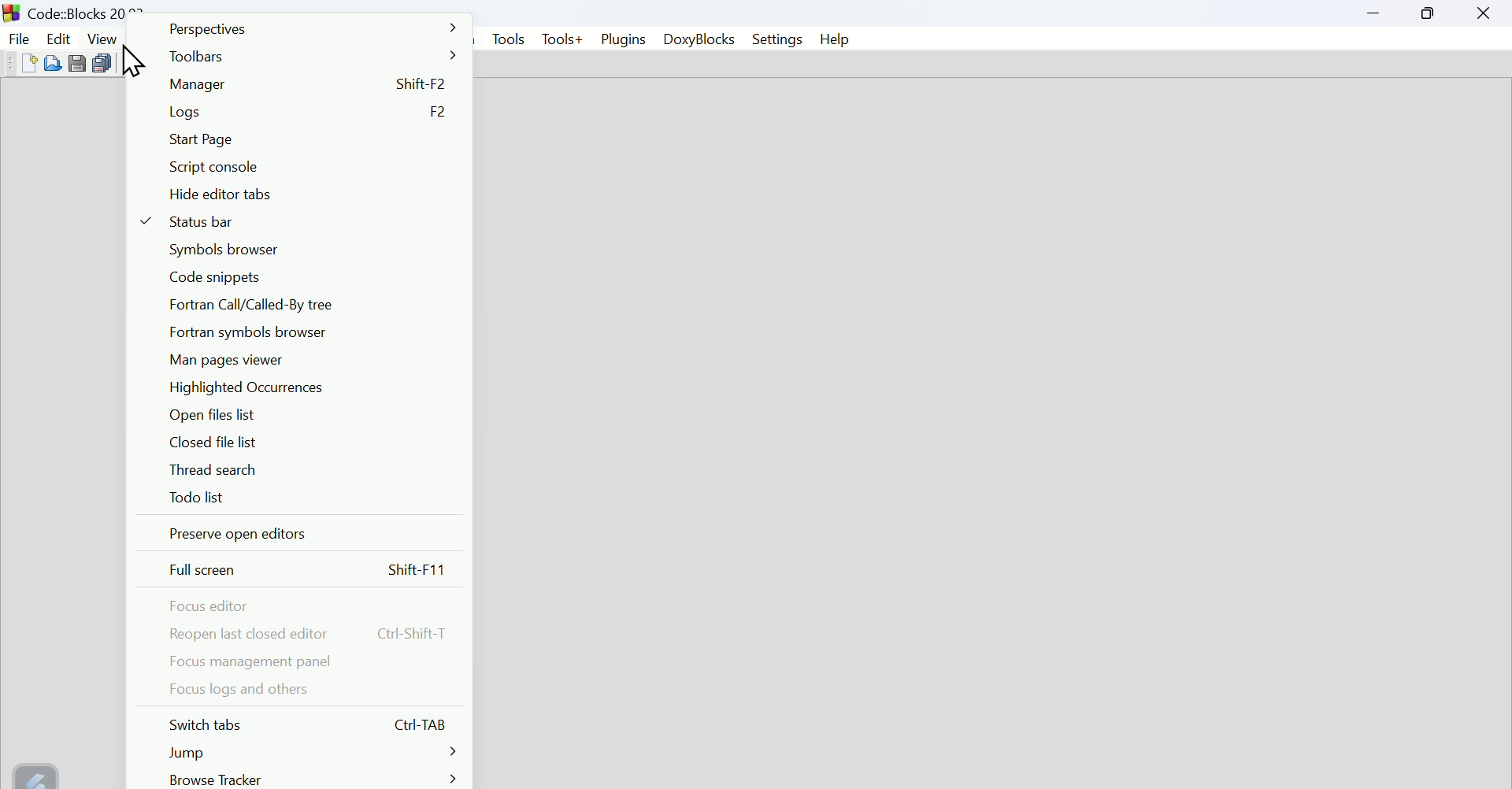  What do you see at coordinates (506, 40) in the screenshot?
I see `Tools` at bounding box center [506, 40].